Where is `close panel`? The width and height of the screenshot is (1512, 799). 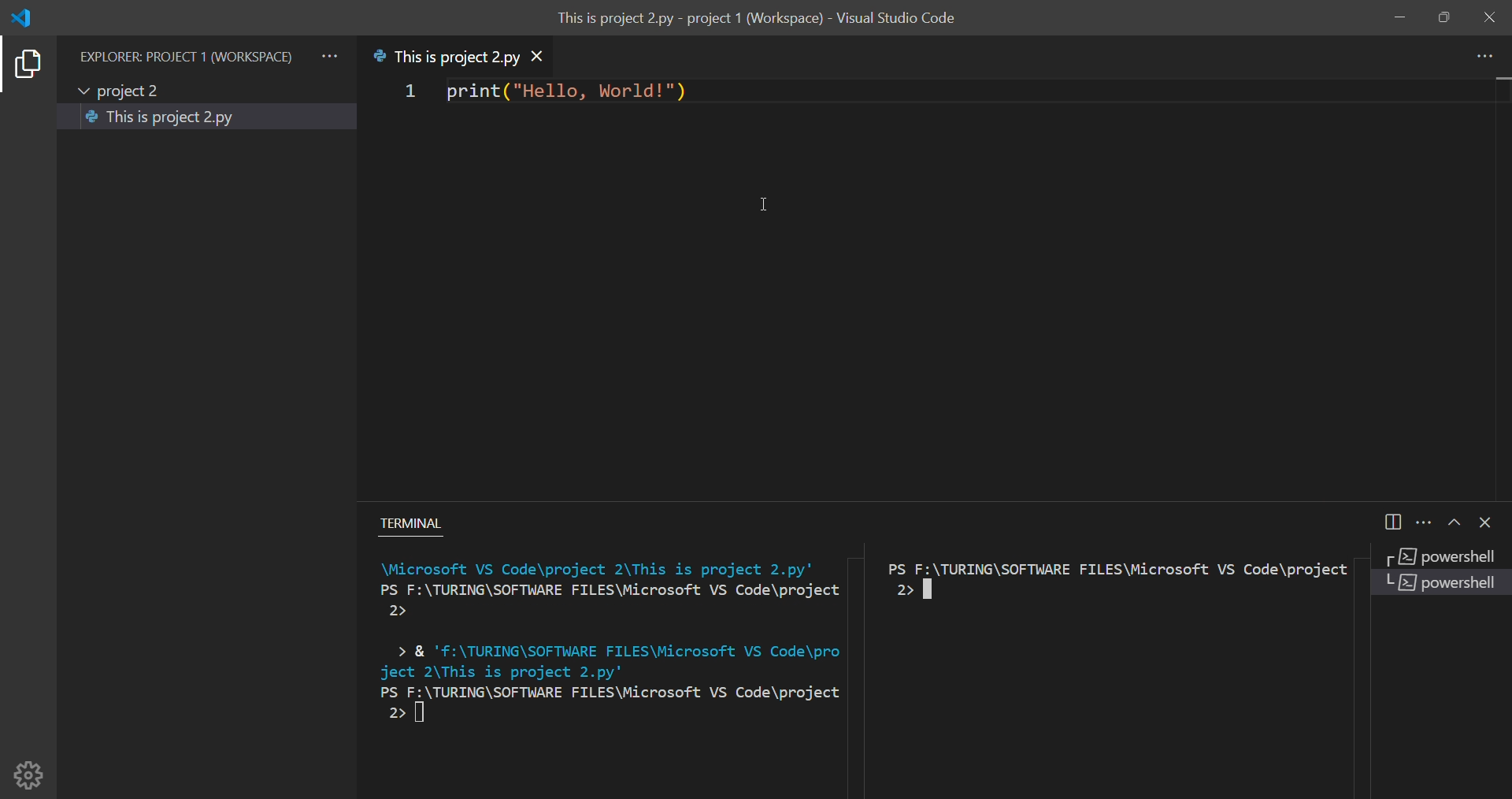
close panel is located at coordinates (1488, 524).